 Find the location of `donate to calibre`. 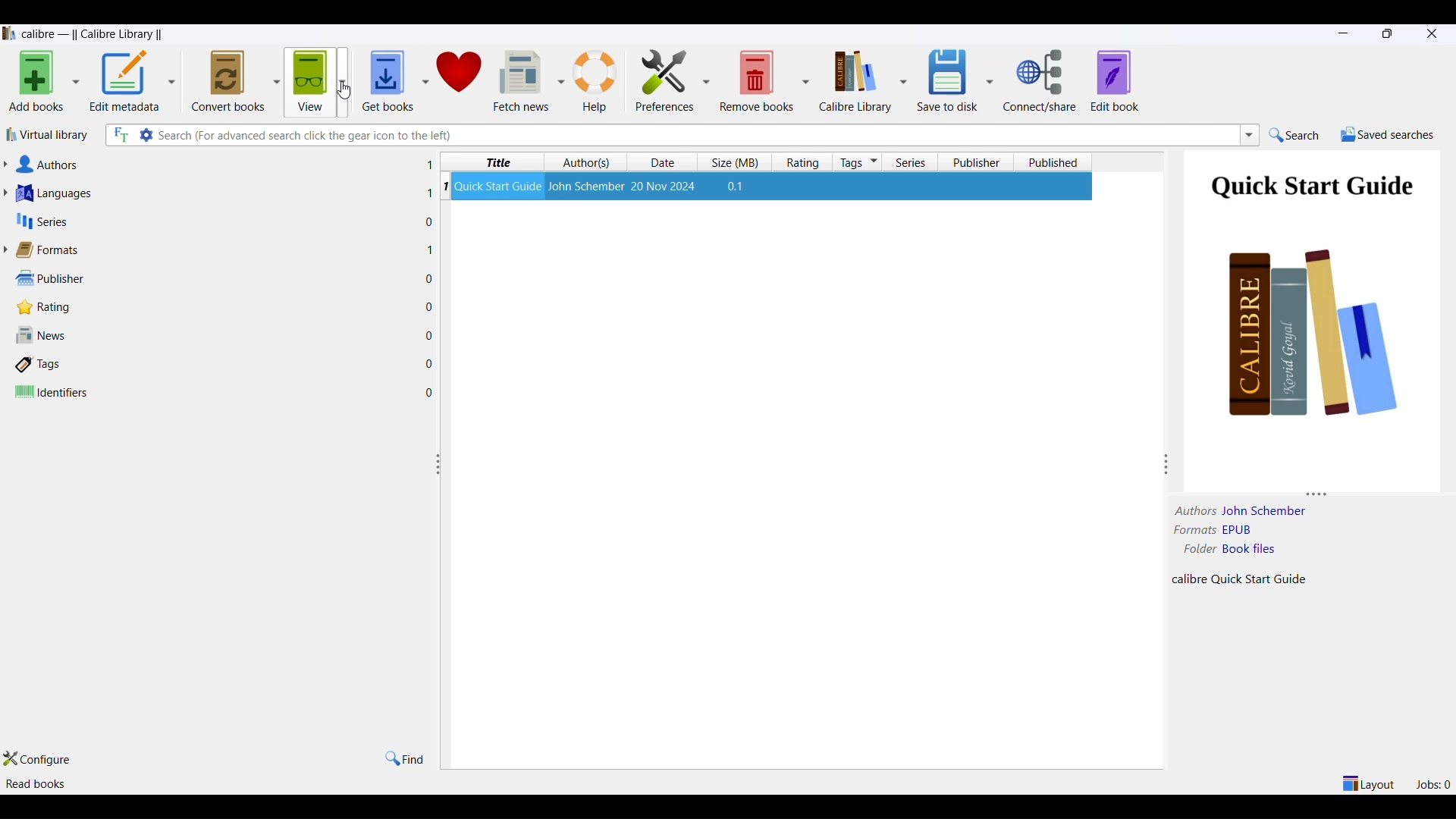

donate to calibre is located at coordinates (461, 78).